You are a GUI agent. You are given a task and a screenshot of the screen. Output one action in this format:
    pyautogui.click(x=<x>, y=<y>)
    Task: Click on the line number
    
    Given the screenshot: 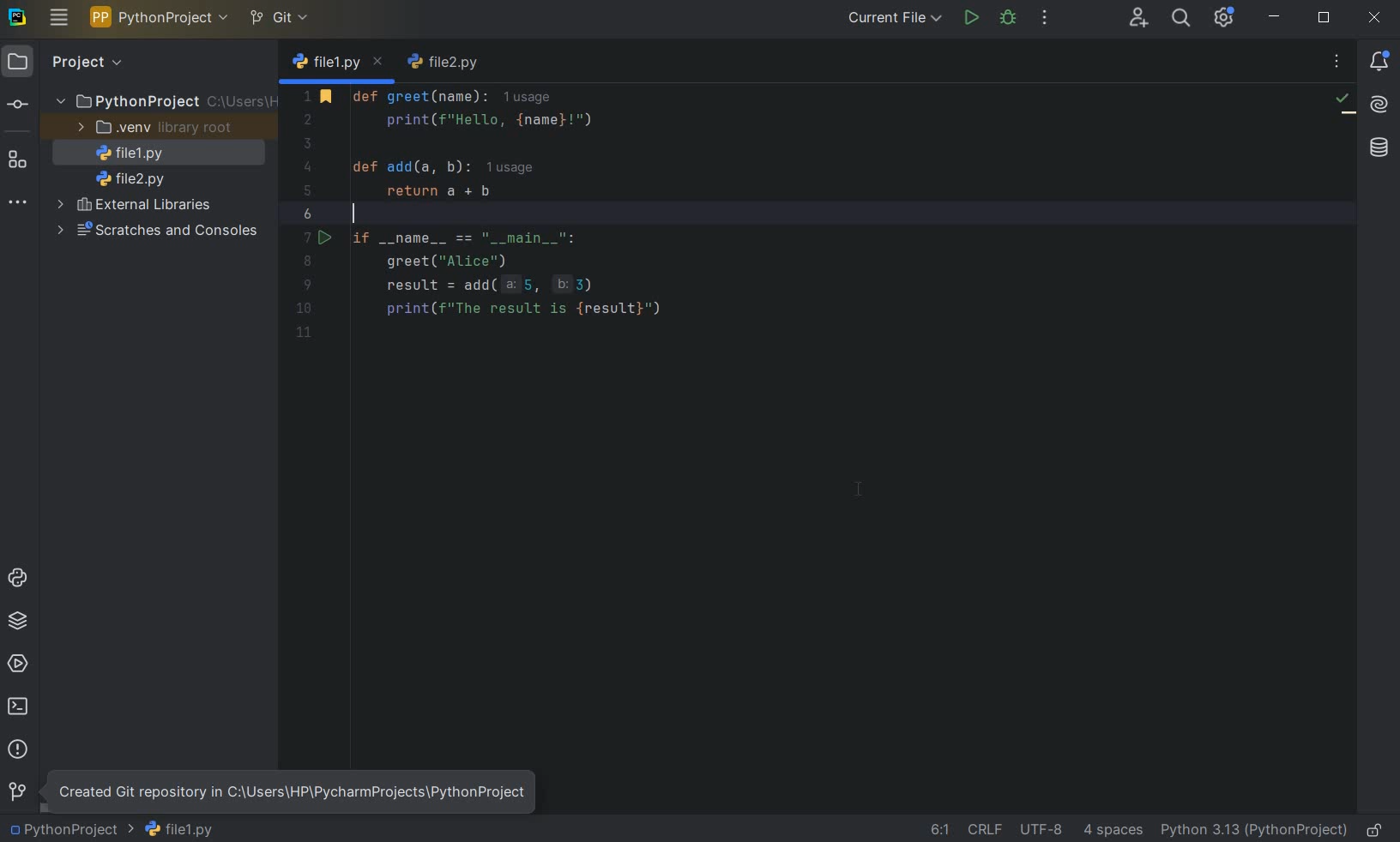 What is the action you would take?
    pyautogui.click(x=310, y=214)
    